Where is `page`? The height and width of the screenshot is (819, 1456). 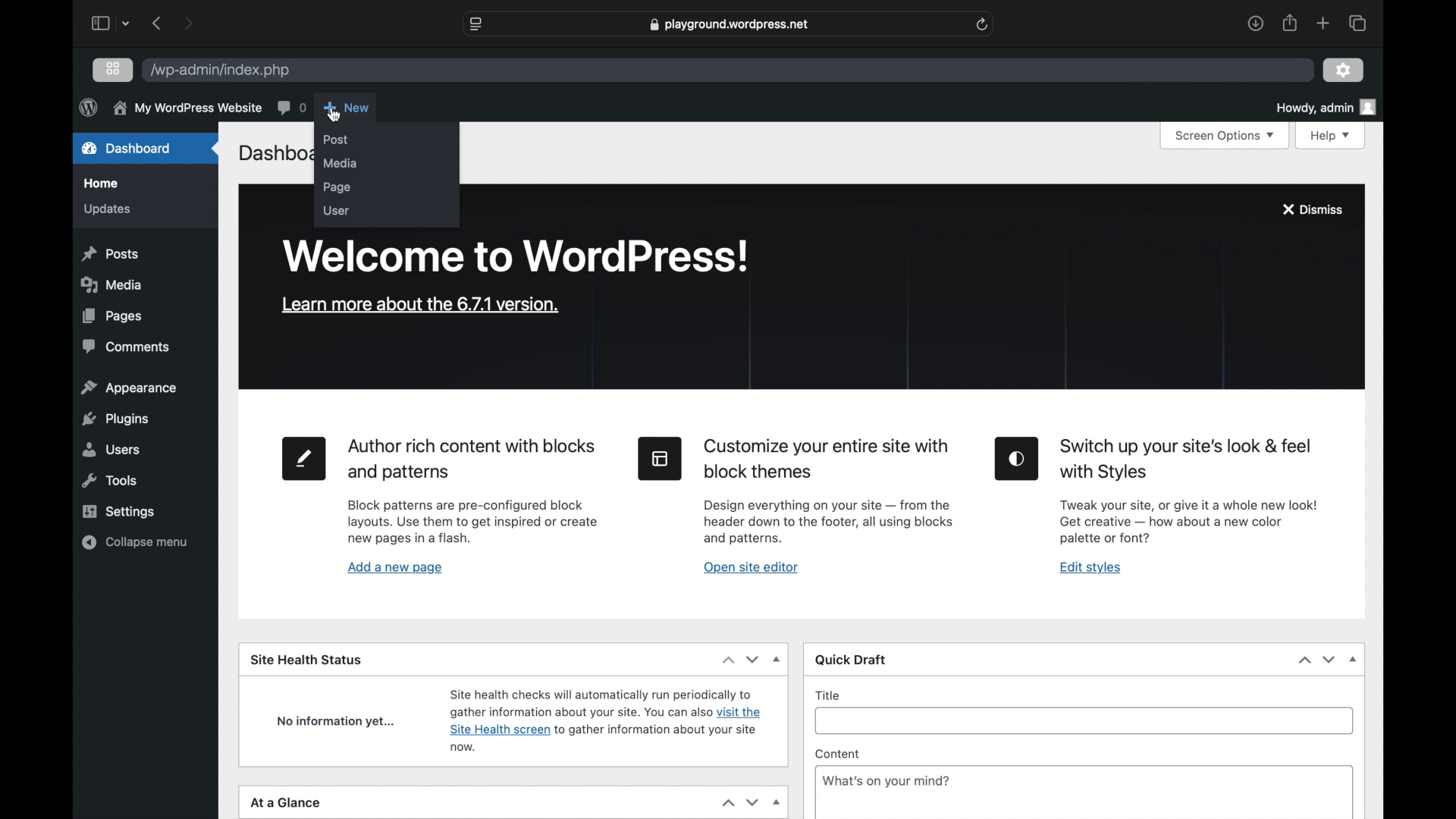
page is located at coordinates (338, 188).